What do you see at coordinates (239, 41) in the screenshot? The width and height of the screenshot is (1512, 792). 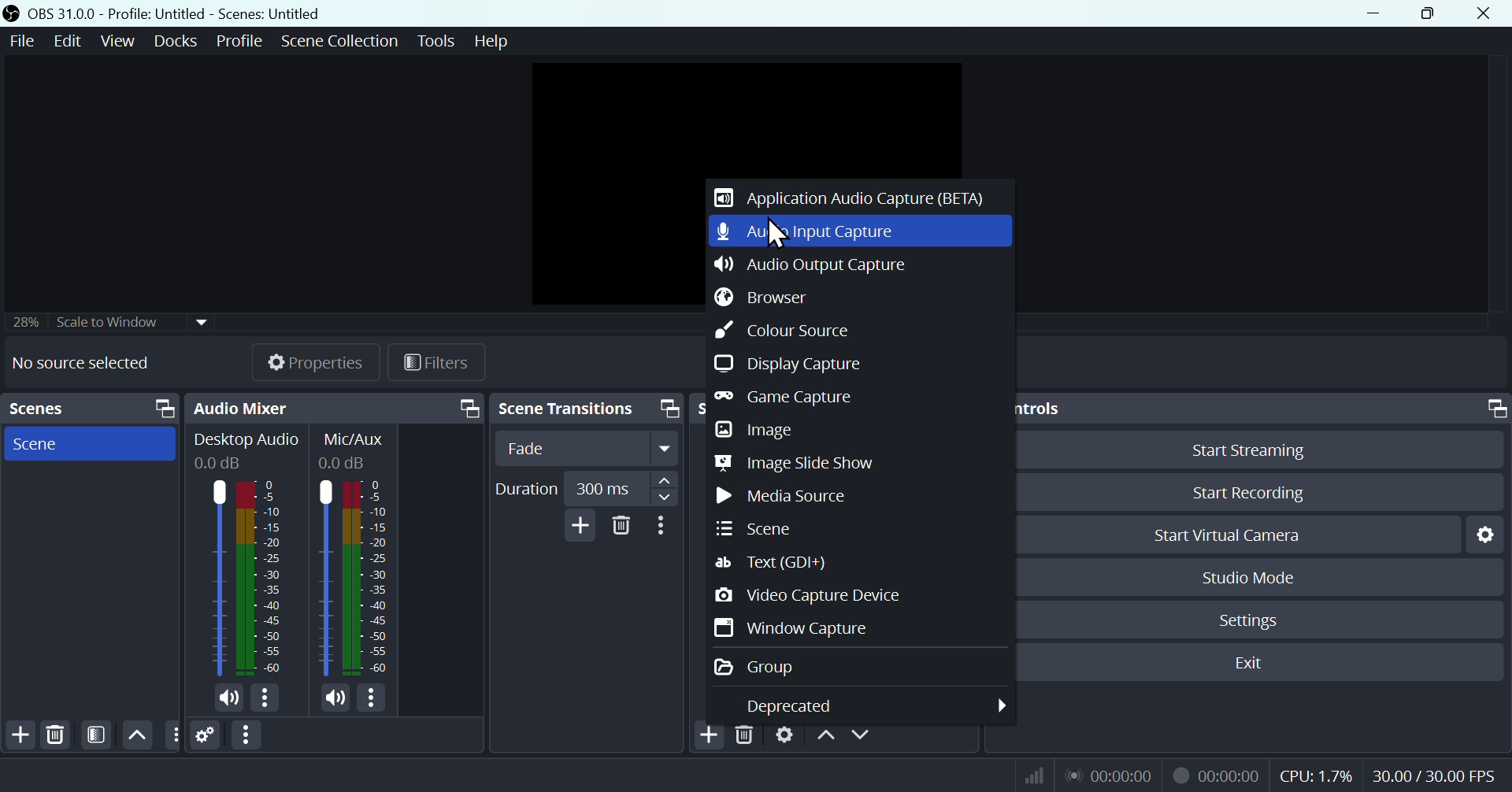 I see `Profile` at bounding box center [239, 41].